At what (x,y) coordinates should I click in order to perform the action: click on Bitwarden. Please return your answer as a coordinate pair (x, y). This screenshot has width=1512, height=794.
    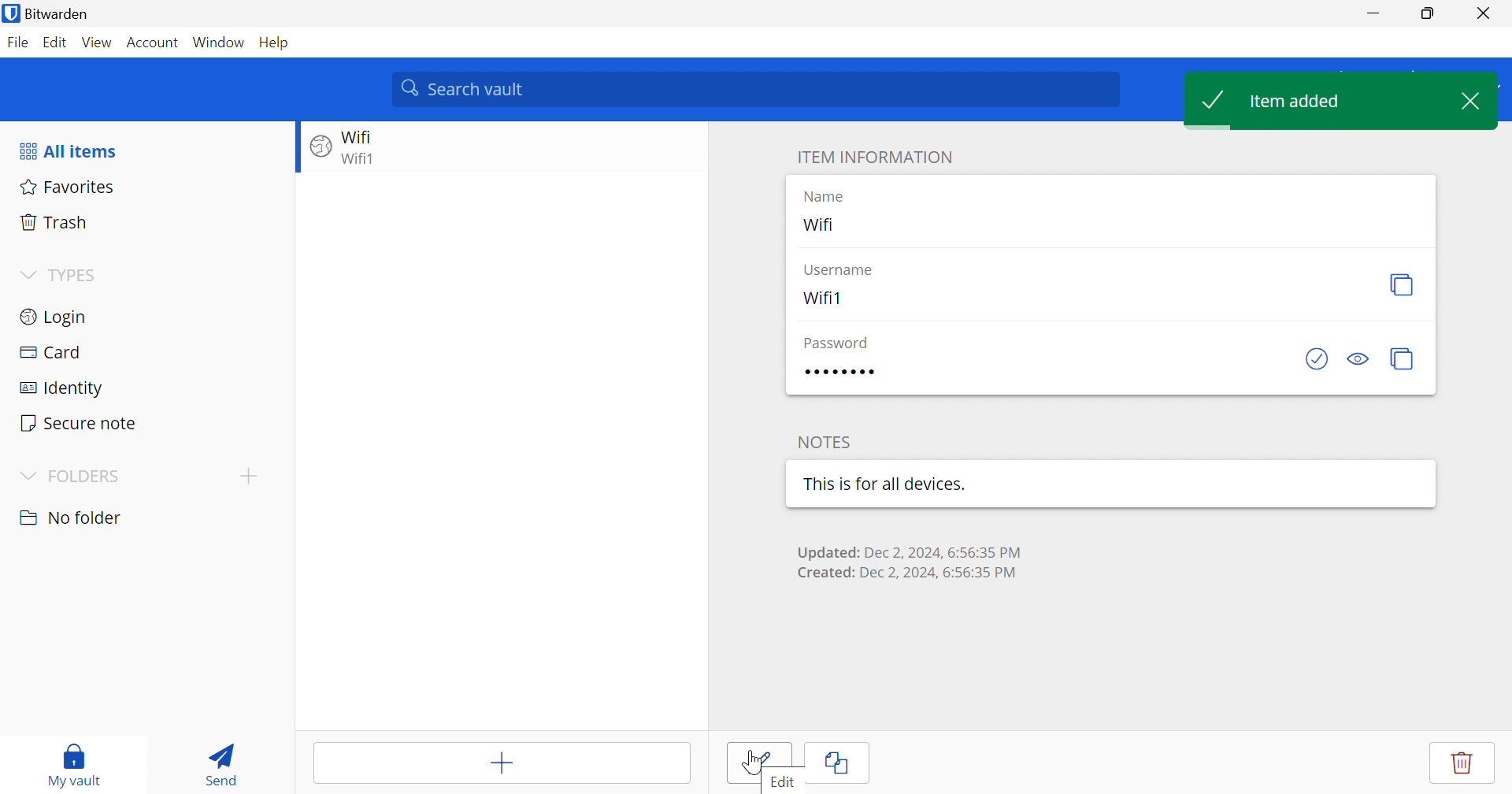
    Looking at the image, I should click on (48, 13).